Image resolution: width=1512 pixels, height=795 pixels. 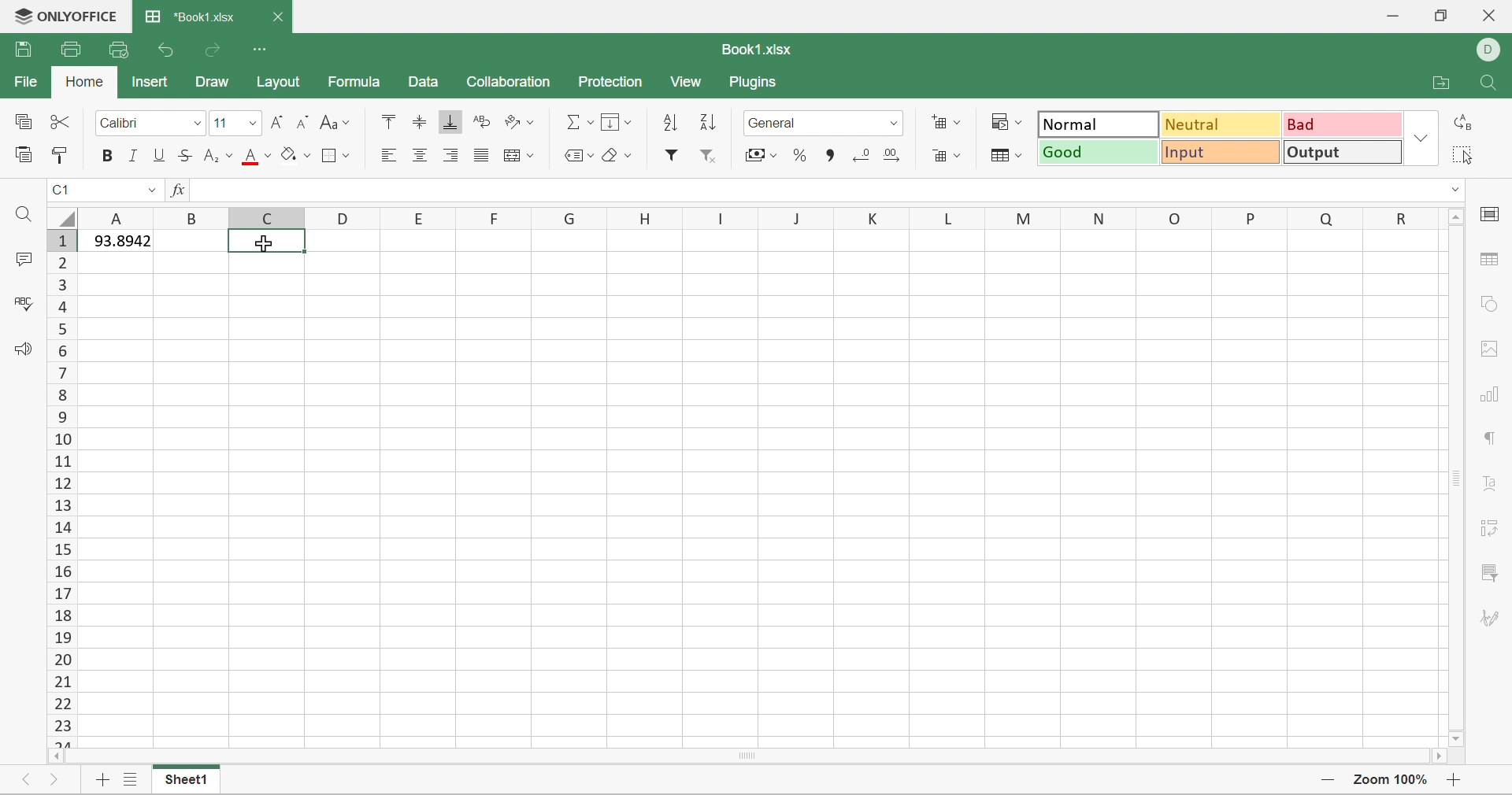 I want to click on Strikethrough, so click(x=187, y=154).